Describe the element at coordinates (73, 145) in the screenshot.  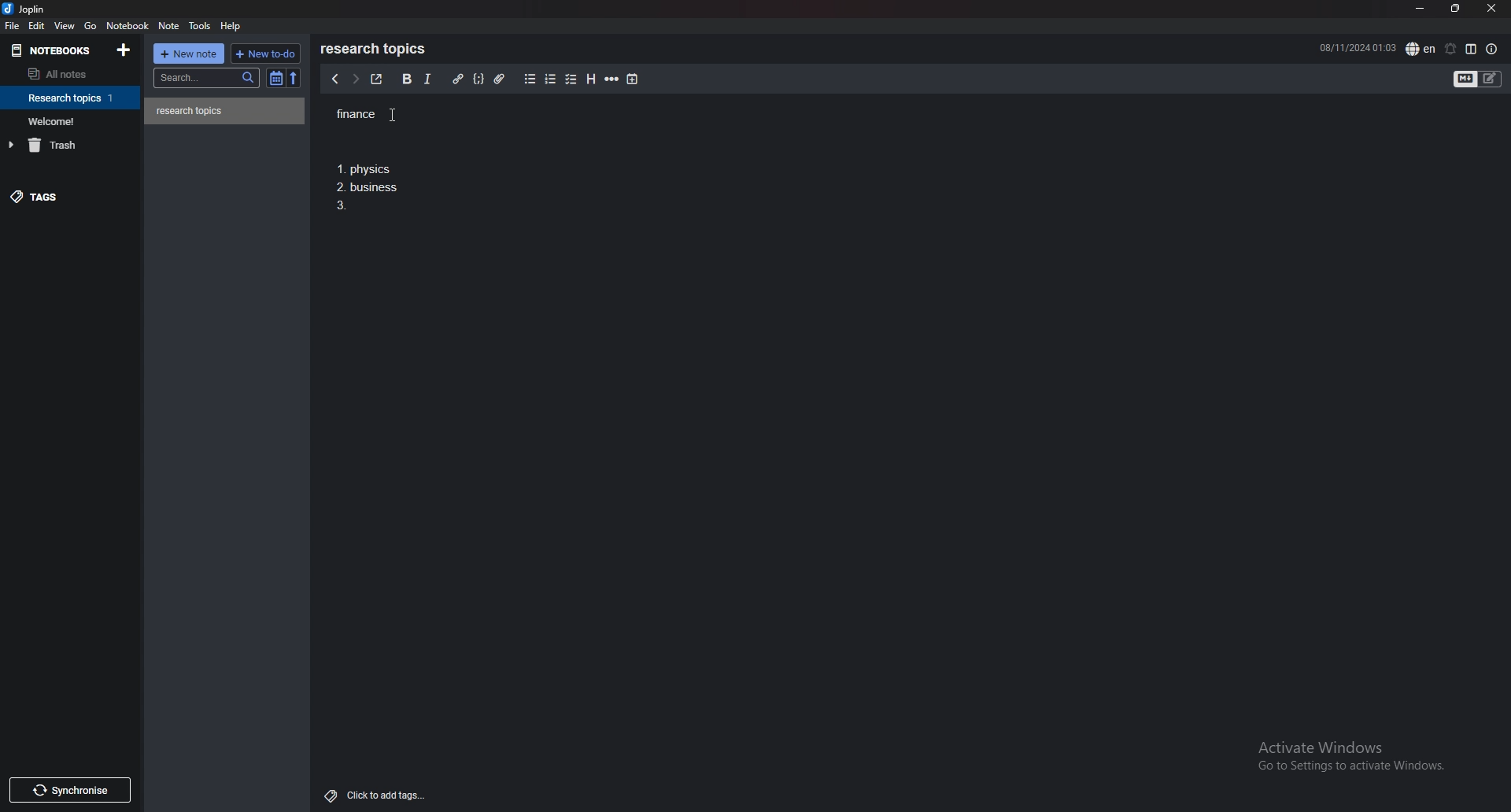
I see `trash` at that location.